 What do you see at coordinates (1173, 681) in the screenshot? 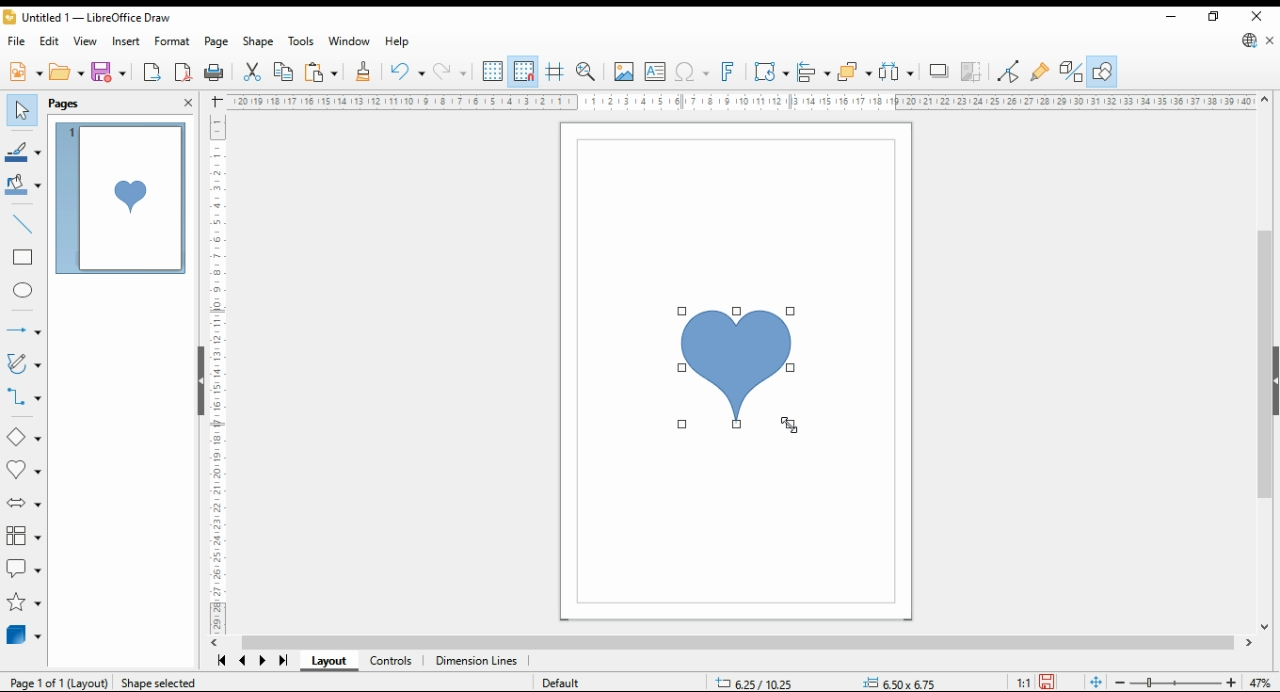
I see `zoom slider` at bounding box center [1173, 681].